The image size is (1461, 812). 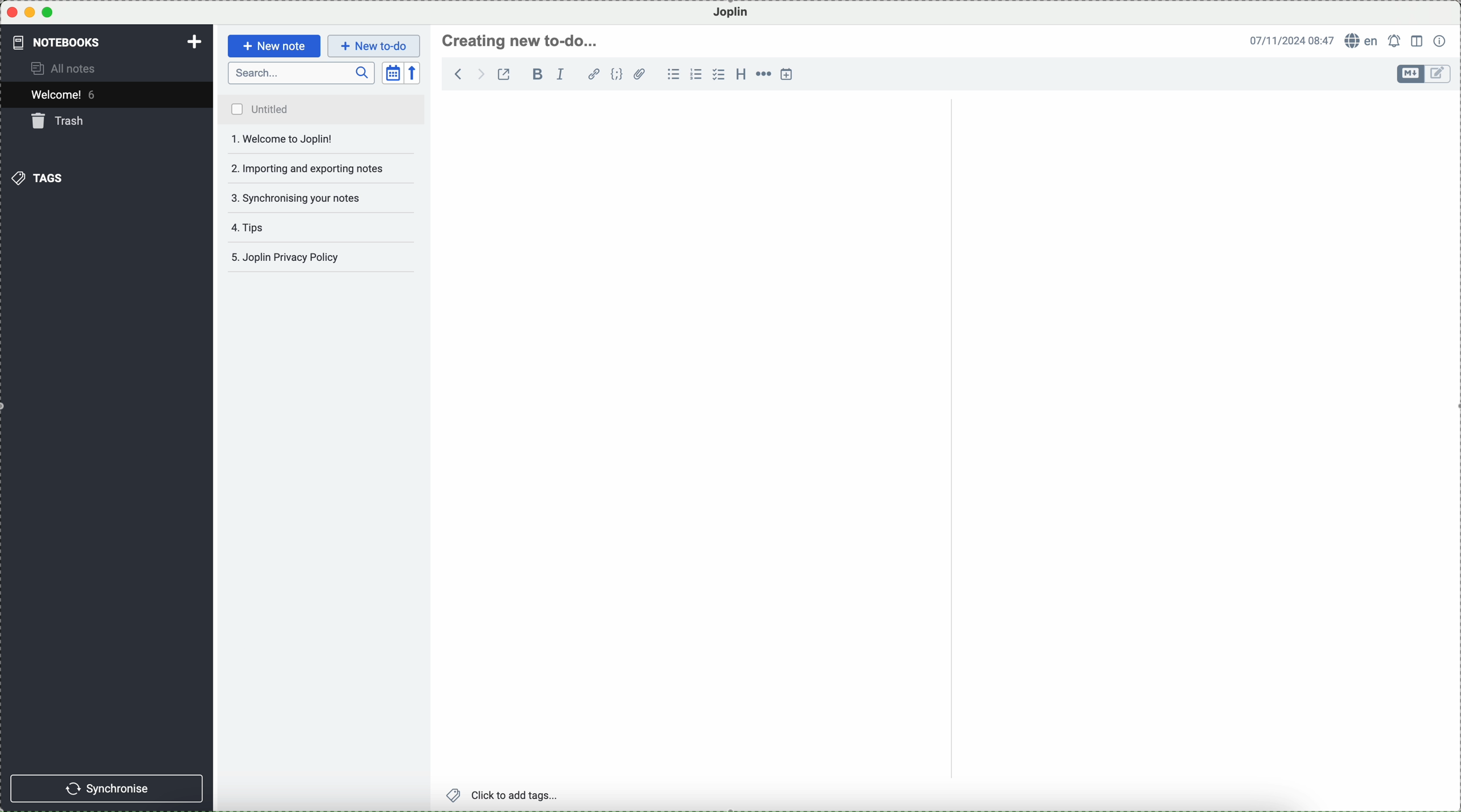 I want to click on checkbox, so click(x=718, y=74).